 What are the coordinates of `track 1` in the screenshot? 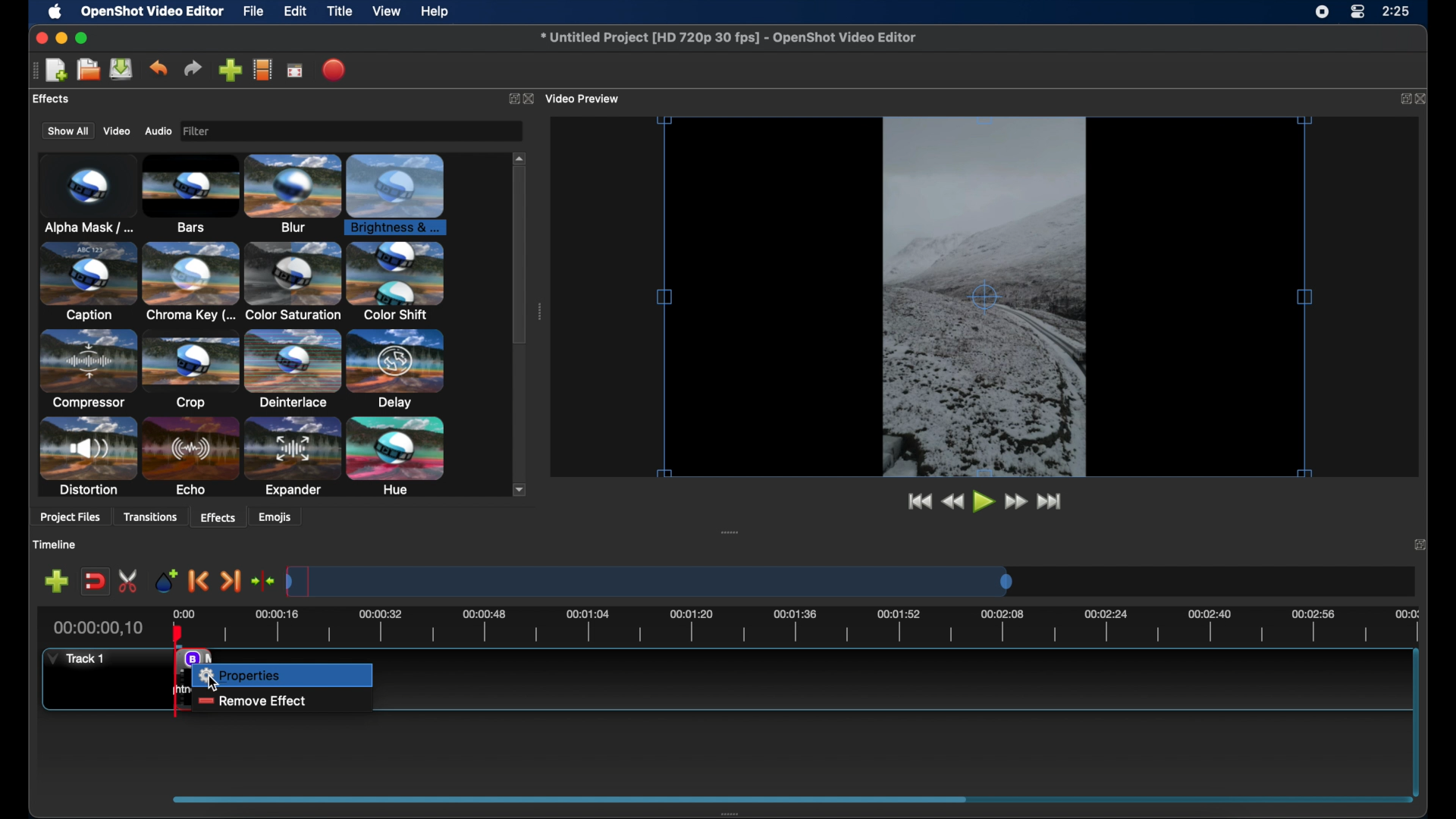 It's located at (74, 660).